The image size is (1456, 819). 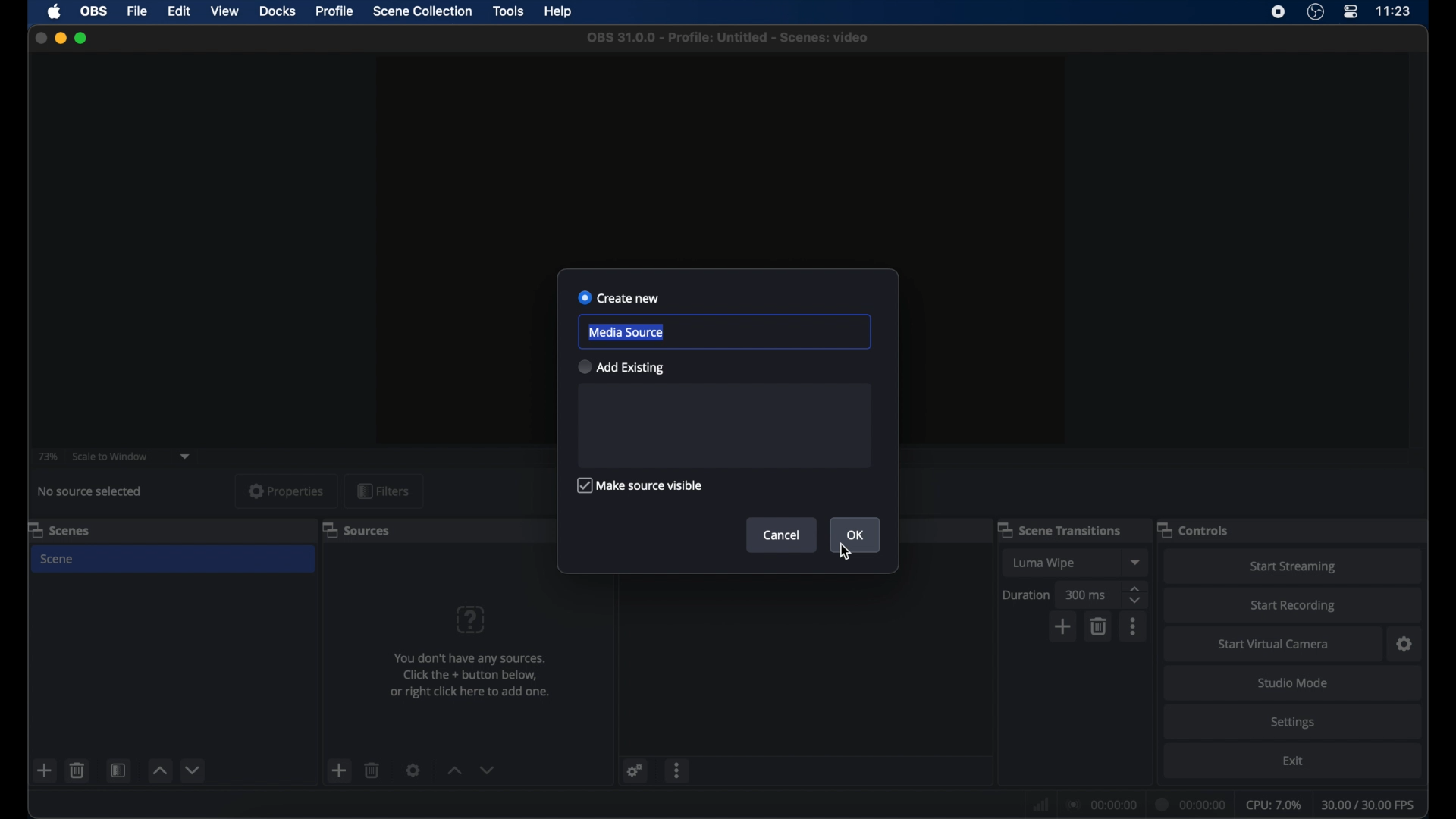 I want to click on scene, so click(x=56, y=560).